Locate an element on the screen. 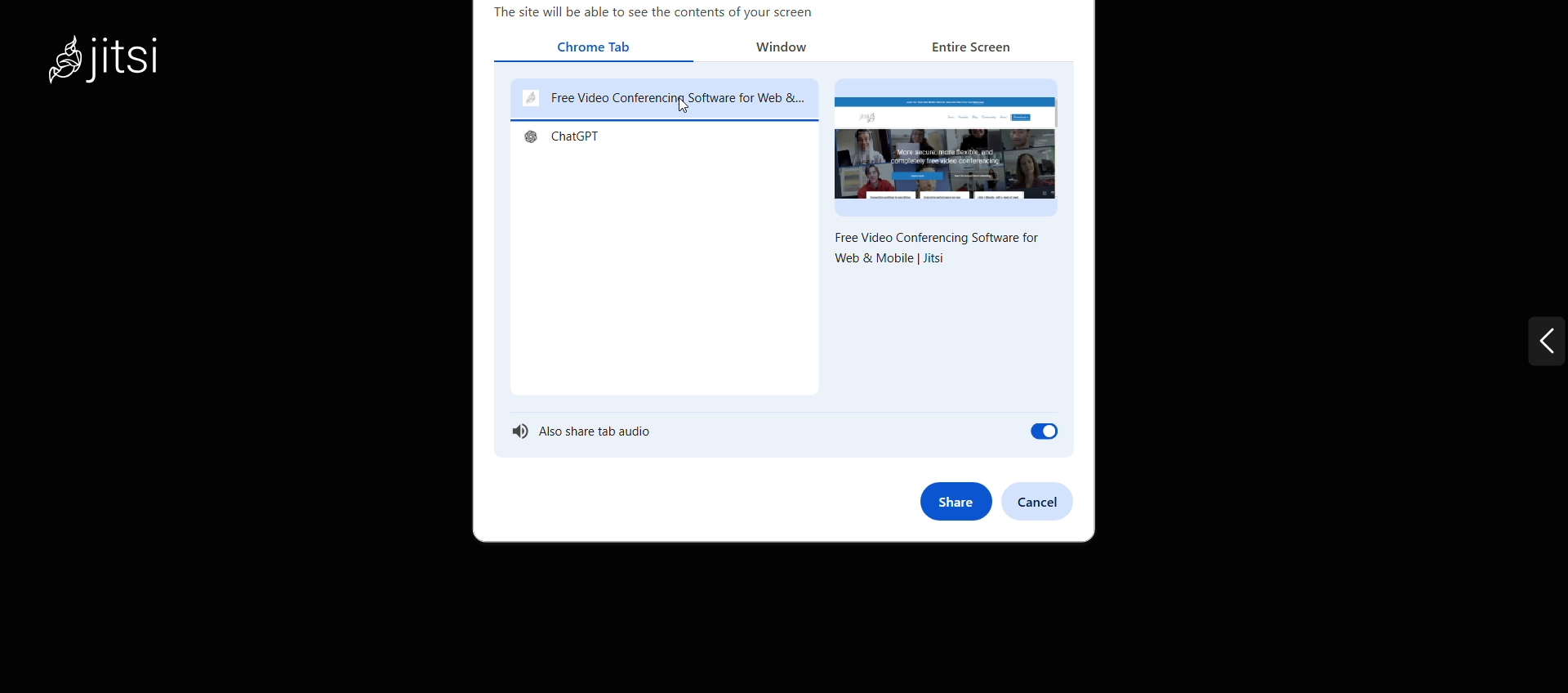  Chrome Tab is located at coordinates (598, 47).